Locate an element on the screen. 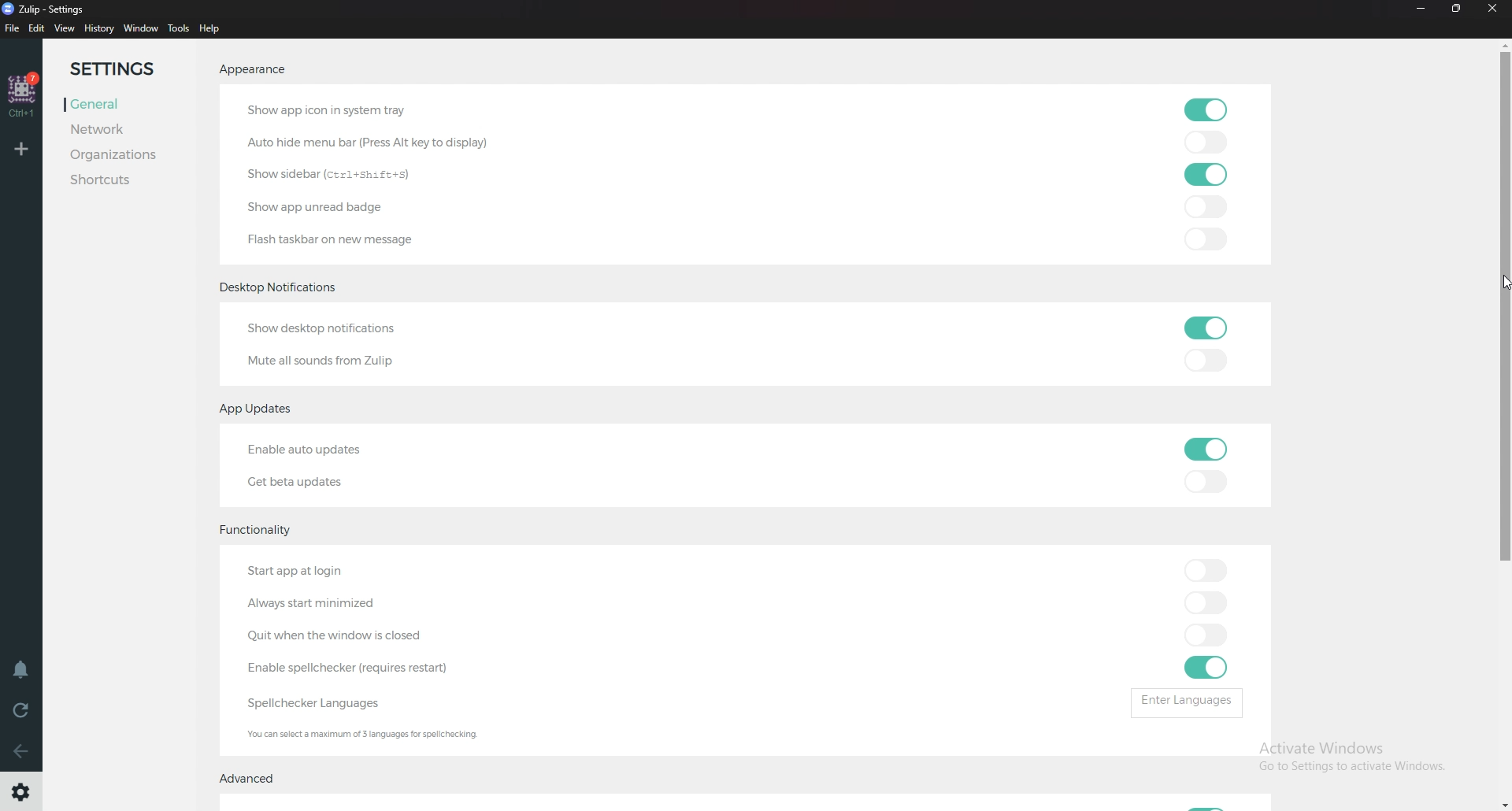 The width and height of the screenshot is (1512, 811). toggle is located at coordinates (1205, 635).